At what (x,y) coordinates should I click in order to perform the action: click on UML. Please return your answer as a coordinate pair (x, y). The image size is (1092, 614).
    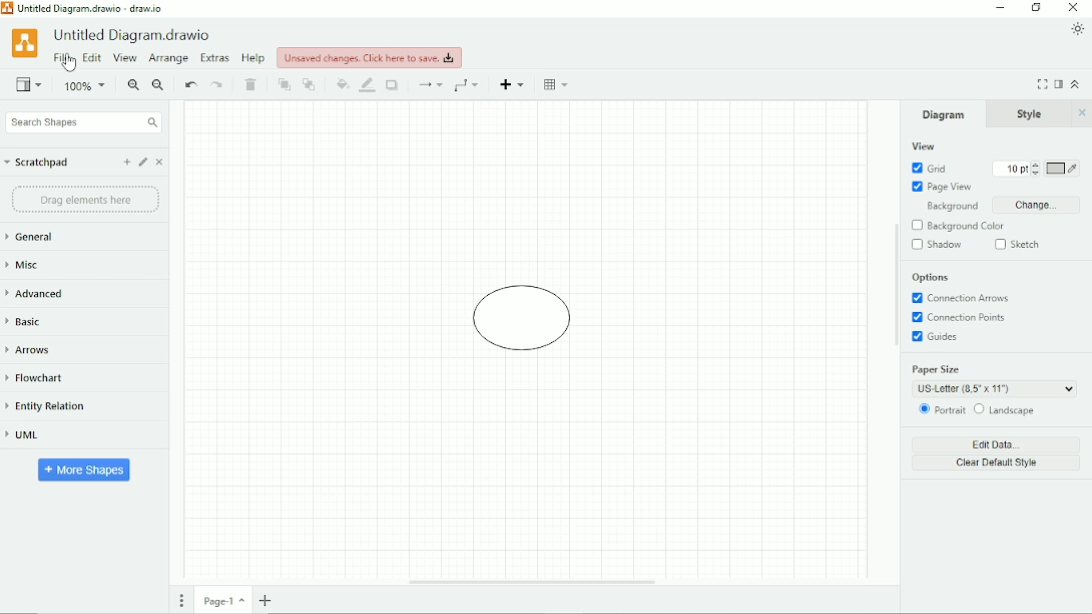
    Looking at the image, I should click on (24, 436).